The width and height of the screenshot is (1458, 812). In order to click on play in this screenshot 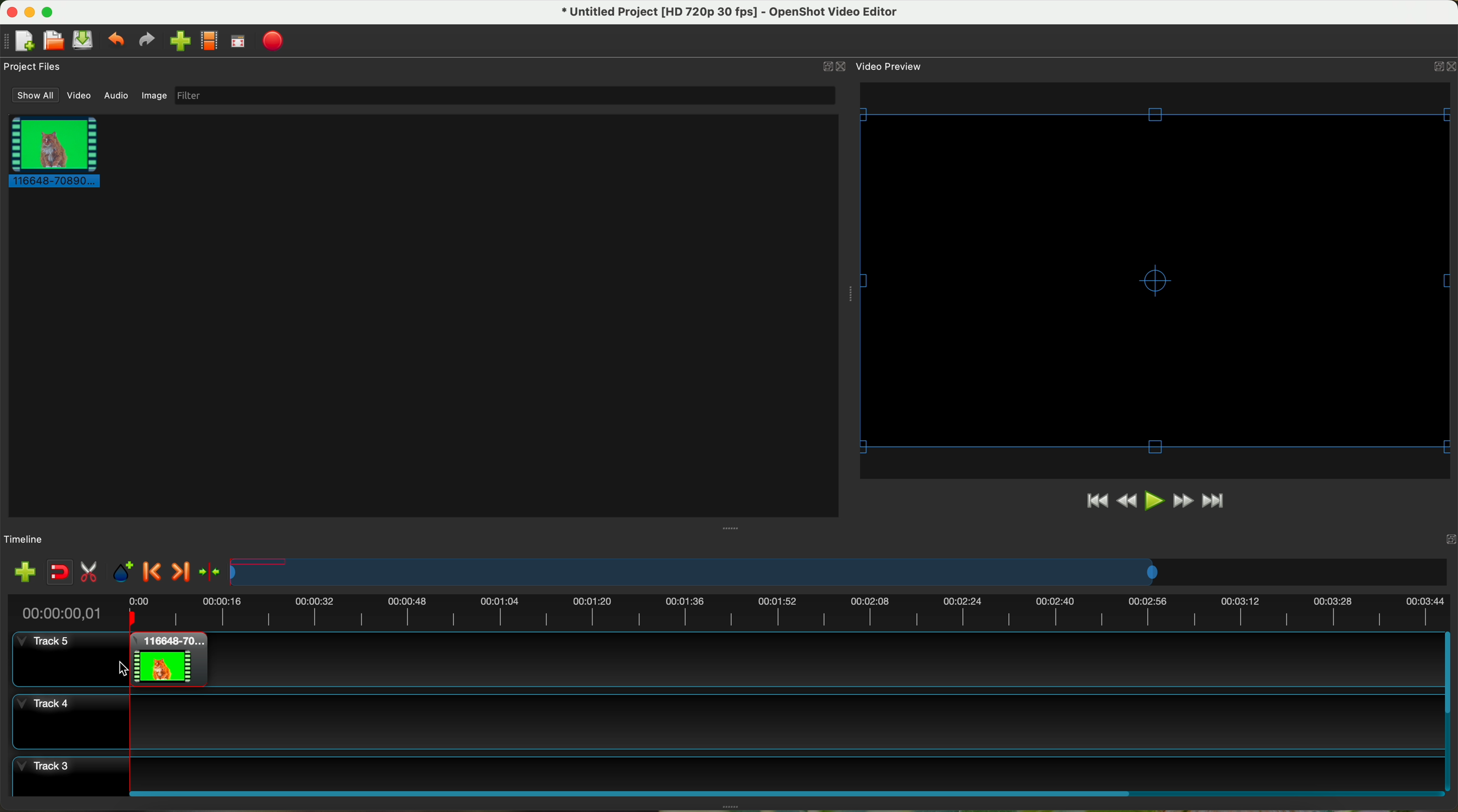, I will do `click(1153, 500)`.